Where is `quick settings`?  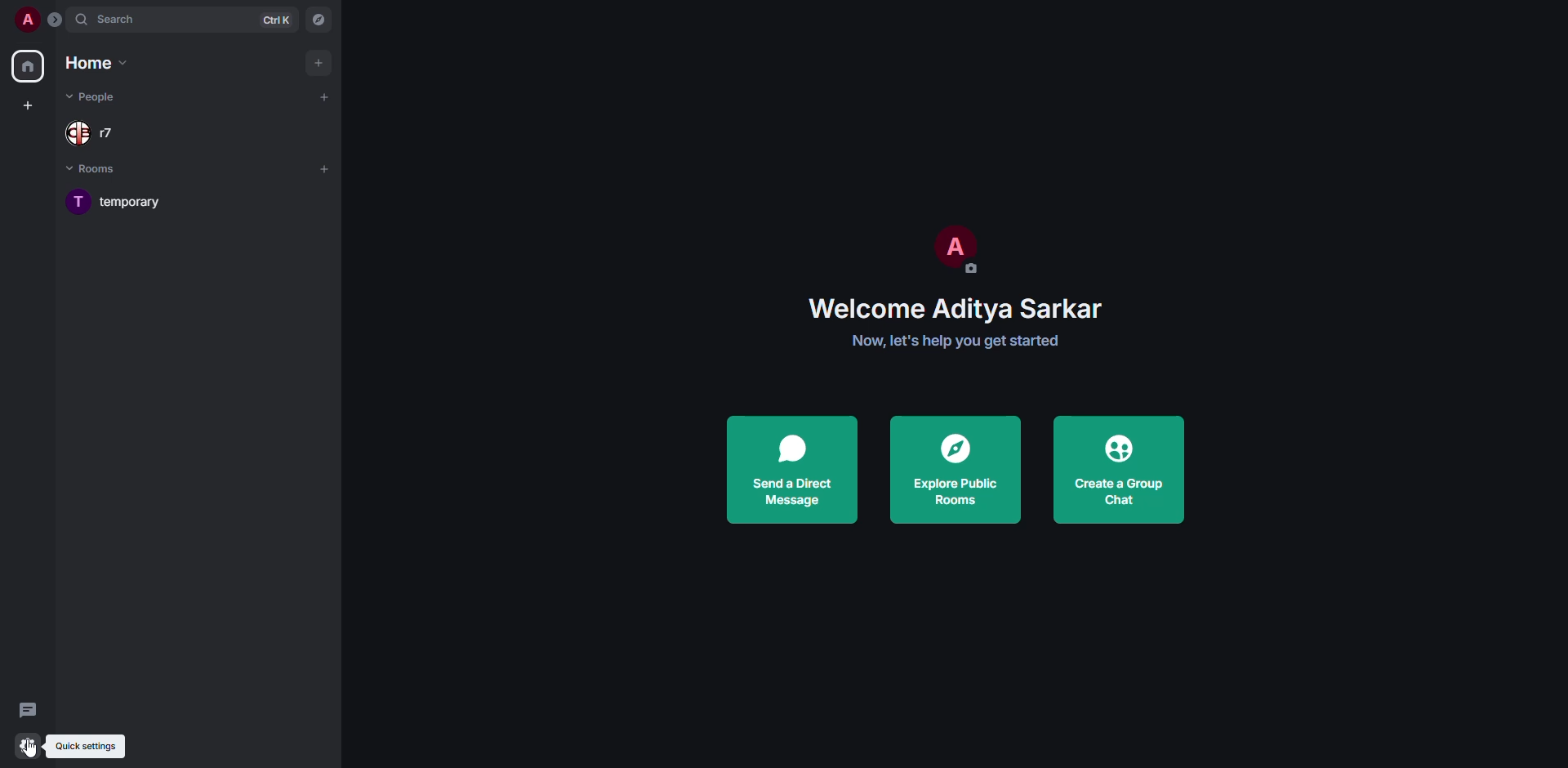
quick settings is located at coordinates (28, 745).